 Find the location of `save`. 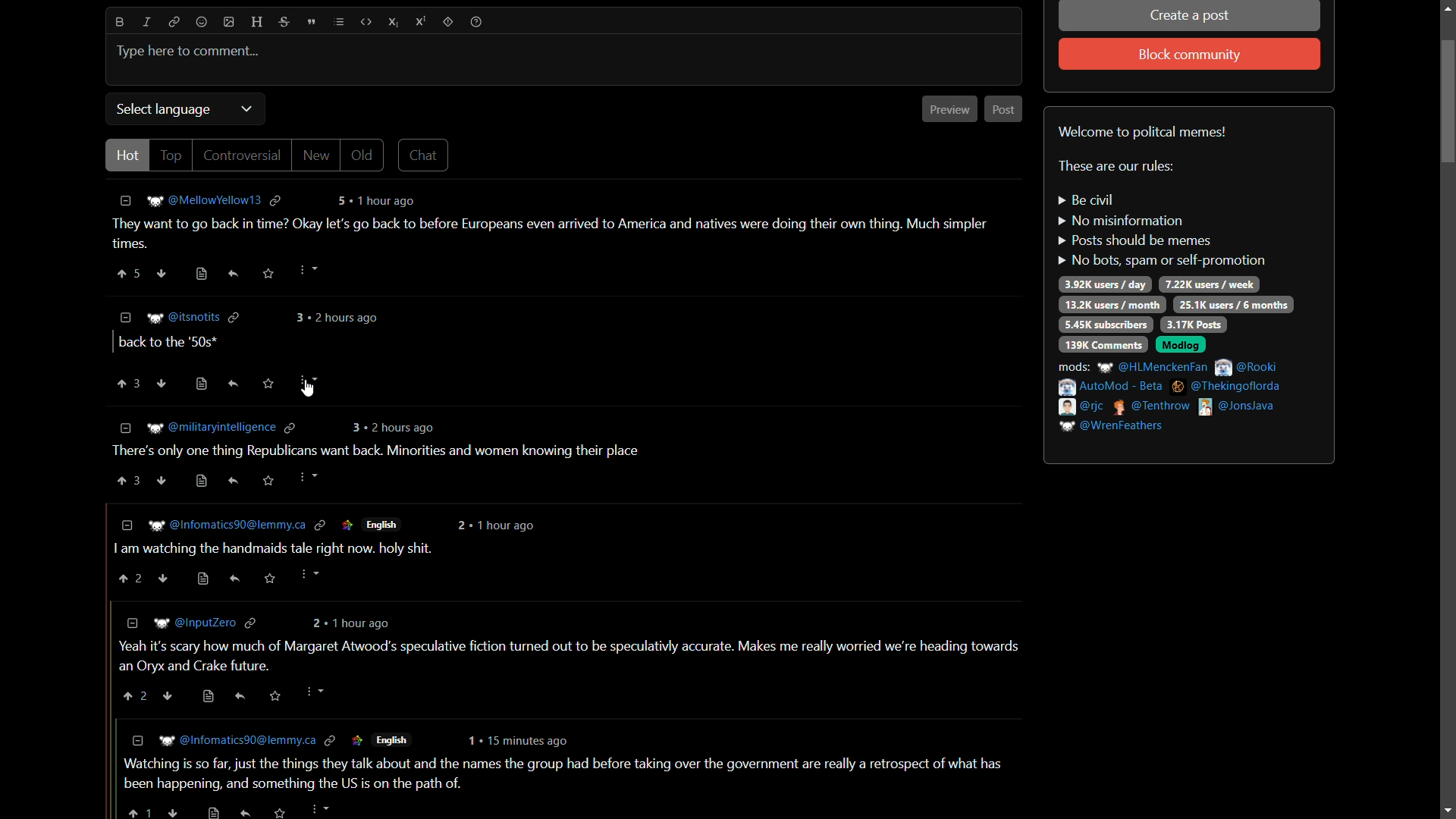

save is located at coordinates (268, 385).